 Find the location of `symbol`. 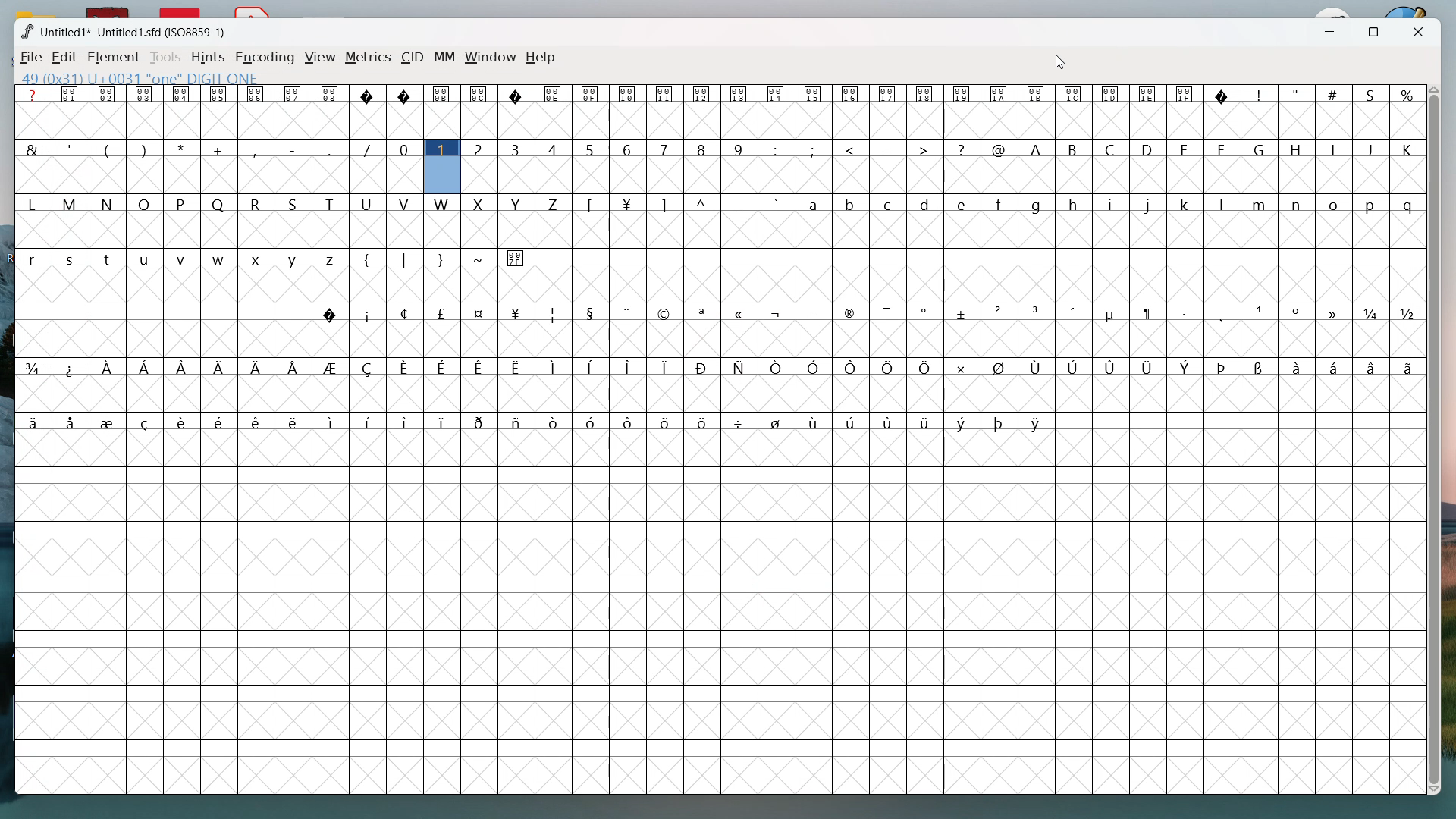

symbol is located at coordinates (851, 423).